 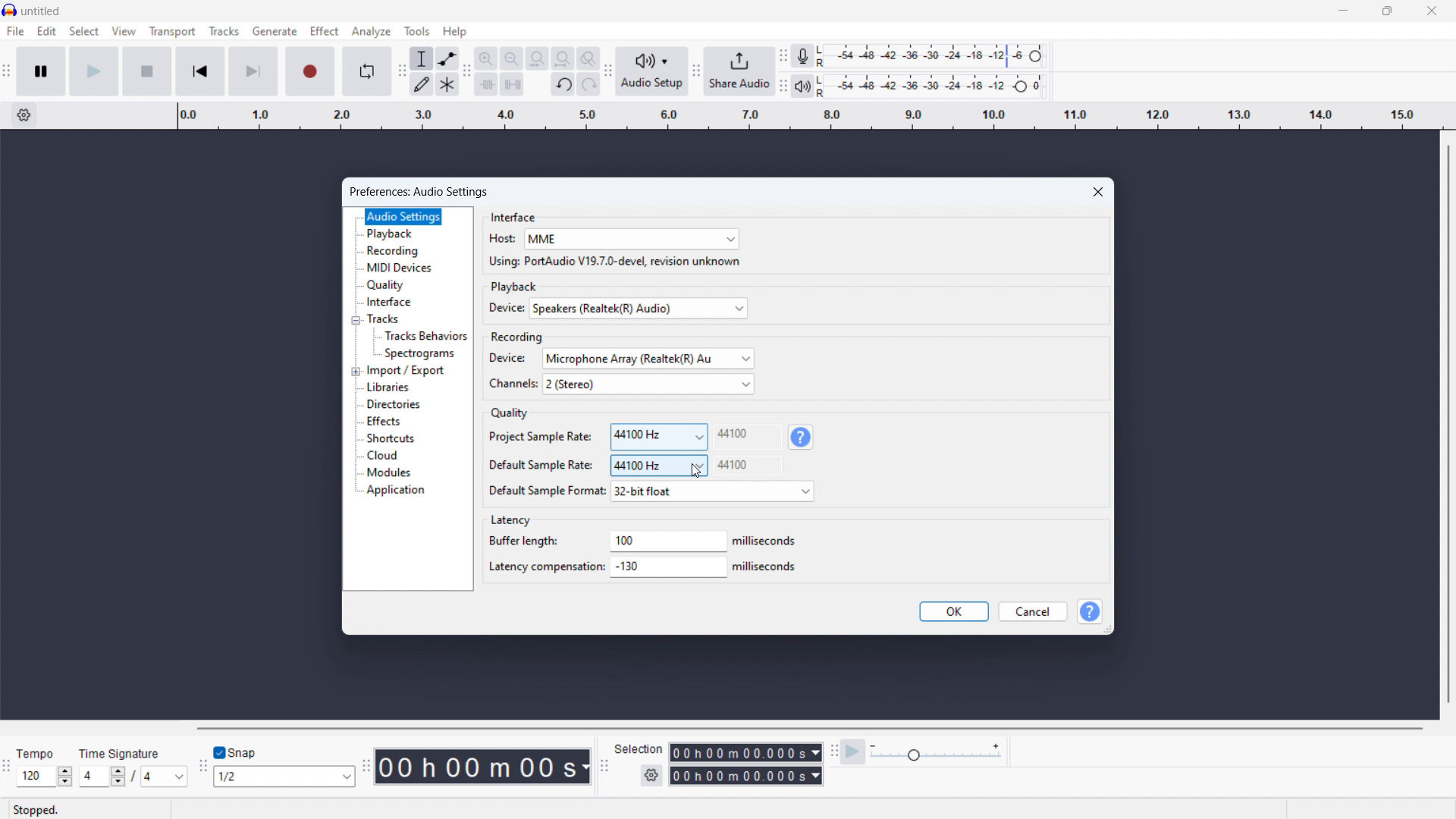 I want to click on milliseconds, so click(x=767, y=541).